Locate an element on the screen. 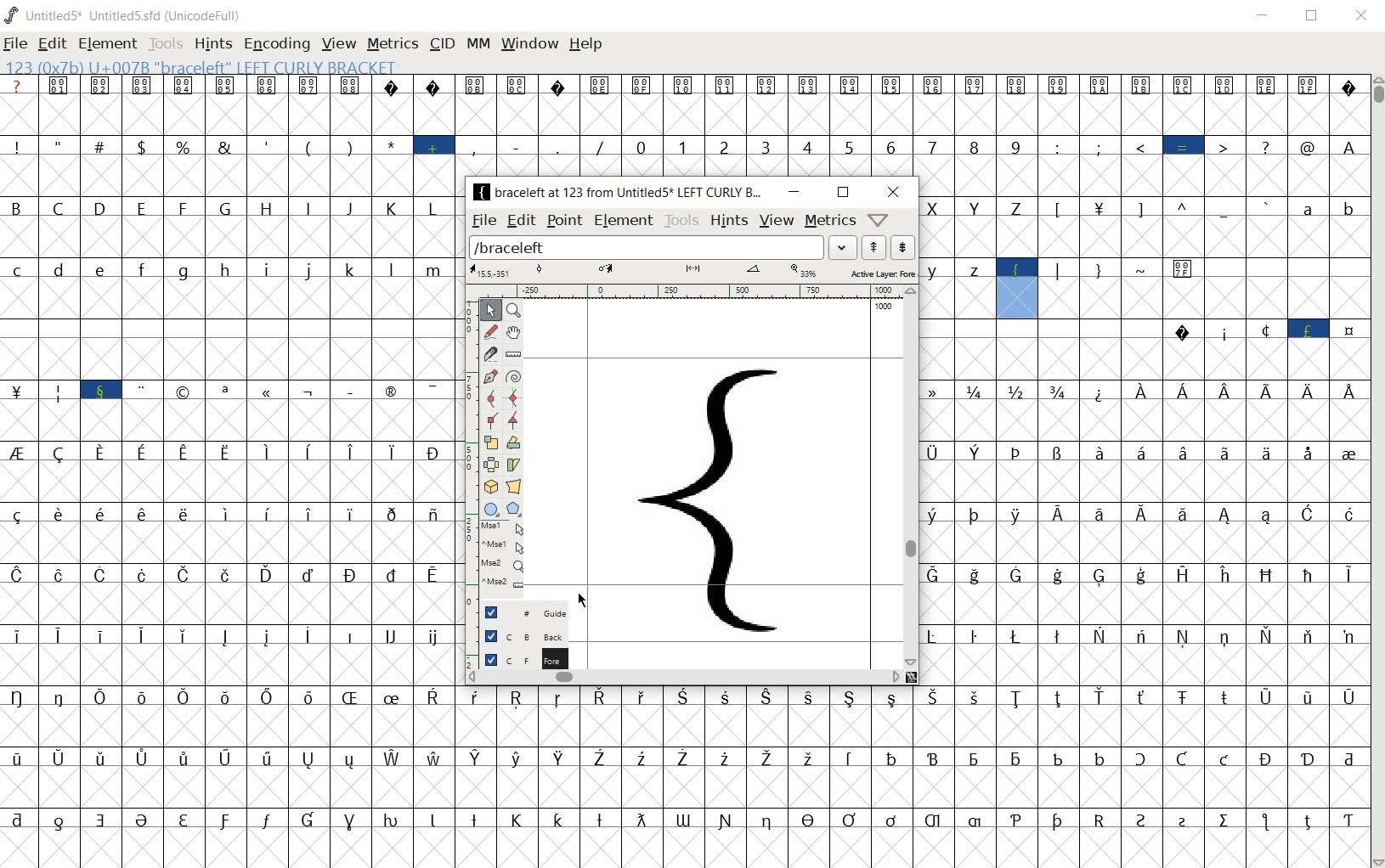 This screenshot has height=868, width=1385. perform a perspective transformation on the selection is located at coordinates (514, 486).